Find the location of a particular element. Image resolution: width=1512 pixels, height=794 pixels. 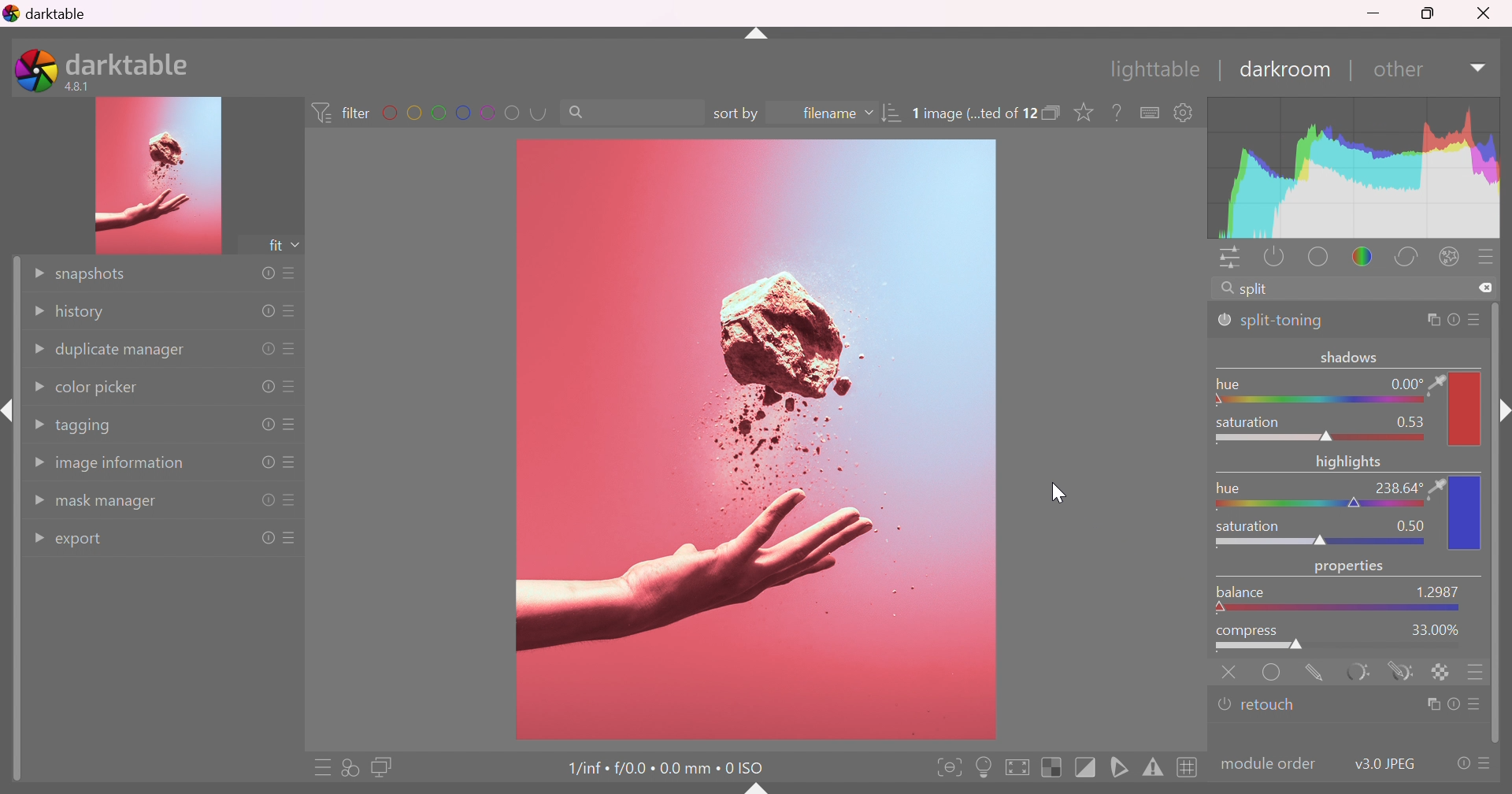

slider is located at coordinates (1349, 649).